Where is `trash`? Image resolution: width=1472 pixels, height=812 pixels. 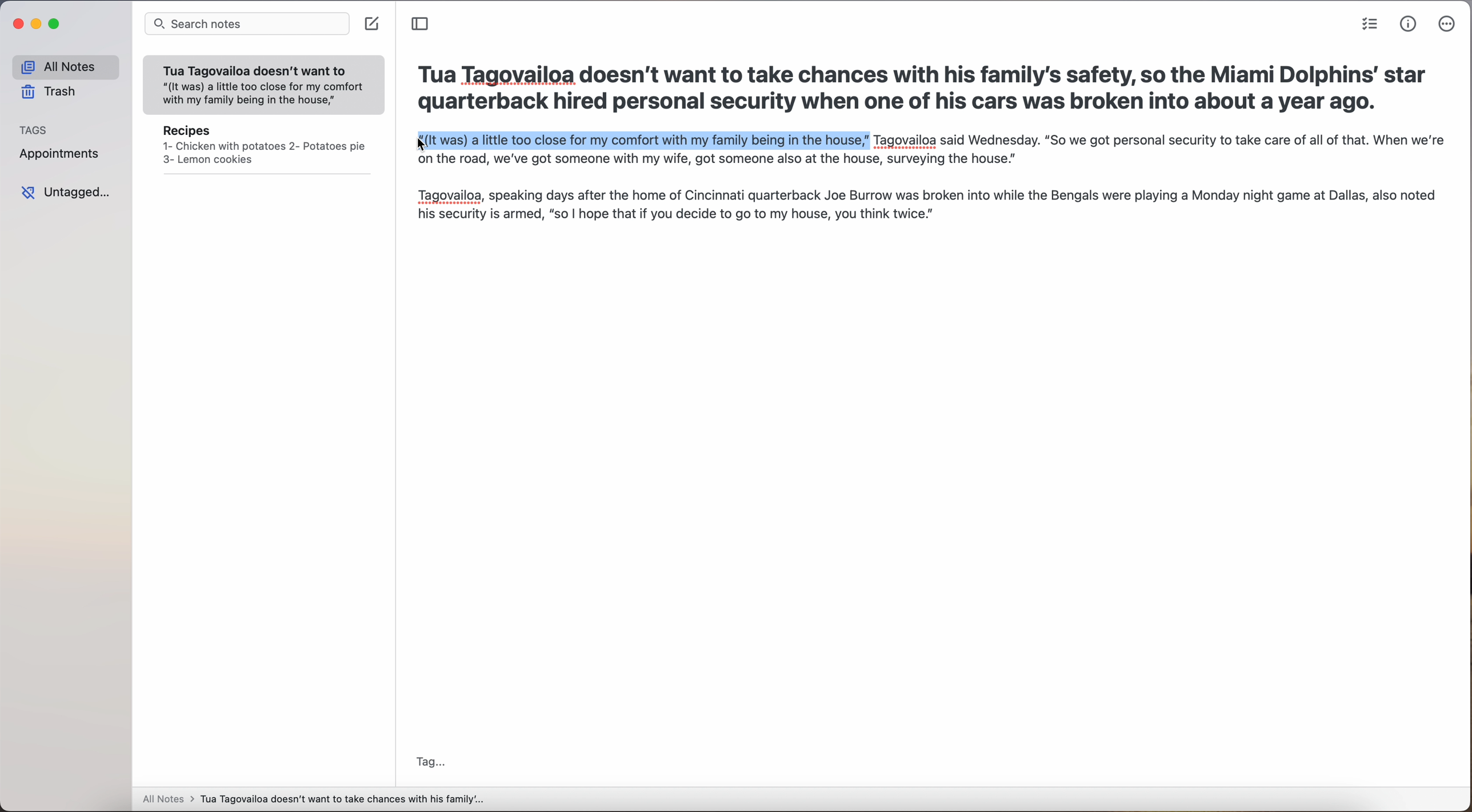
trash is located at coordinates (50, 91).